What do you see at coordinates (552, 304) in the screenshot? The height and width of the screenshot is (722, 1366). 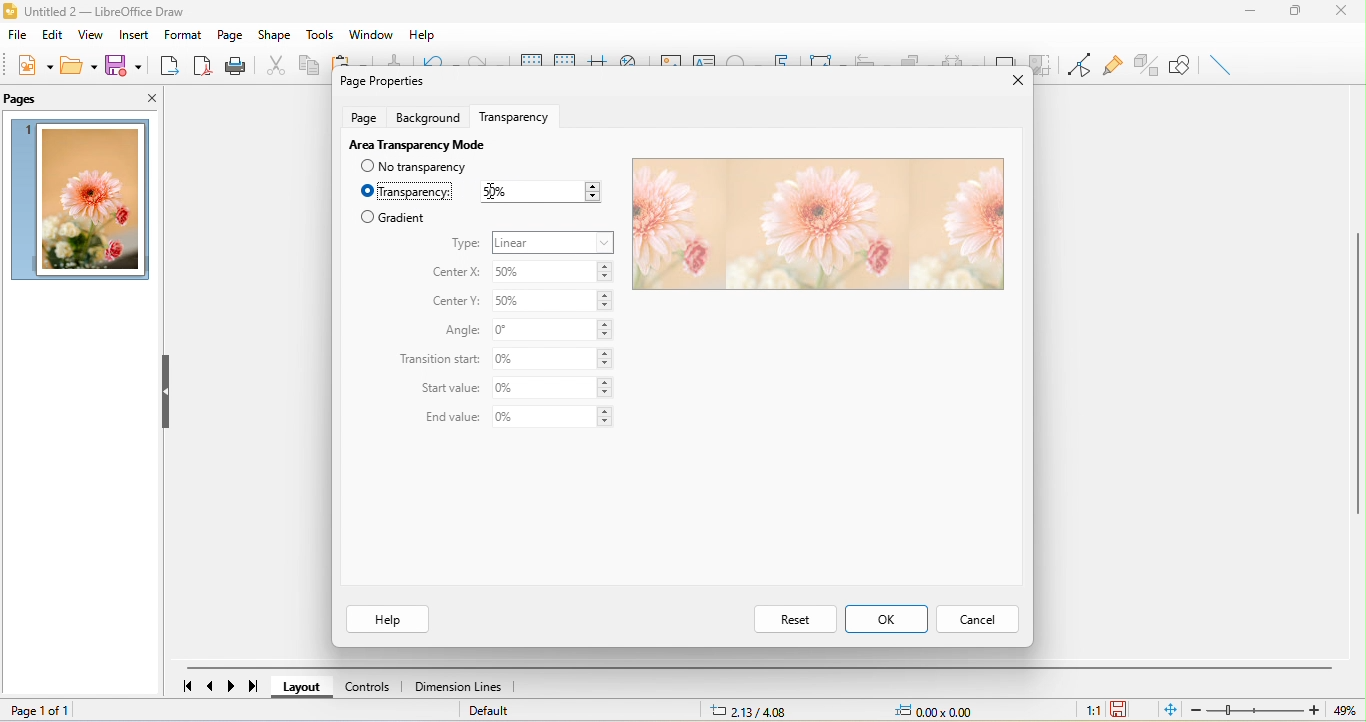 I see `50%` at bounding box center [552, 304].